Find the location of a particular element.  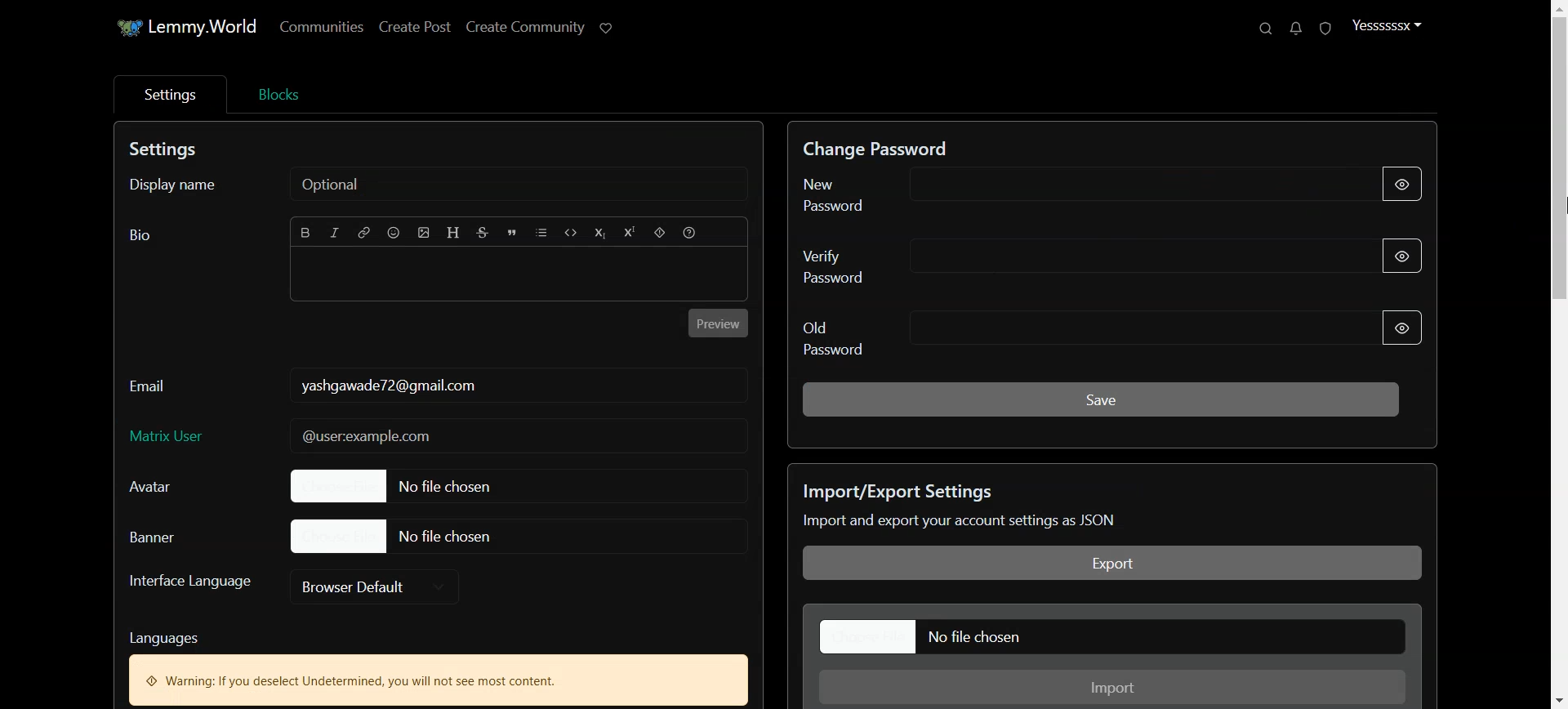

Emoji is located at coordinates (394, 233).